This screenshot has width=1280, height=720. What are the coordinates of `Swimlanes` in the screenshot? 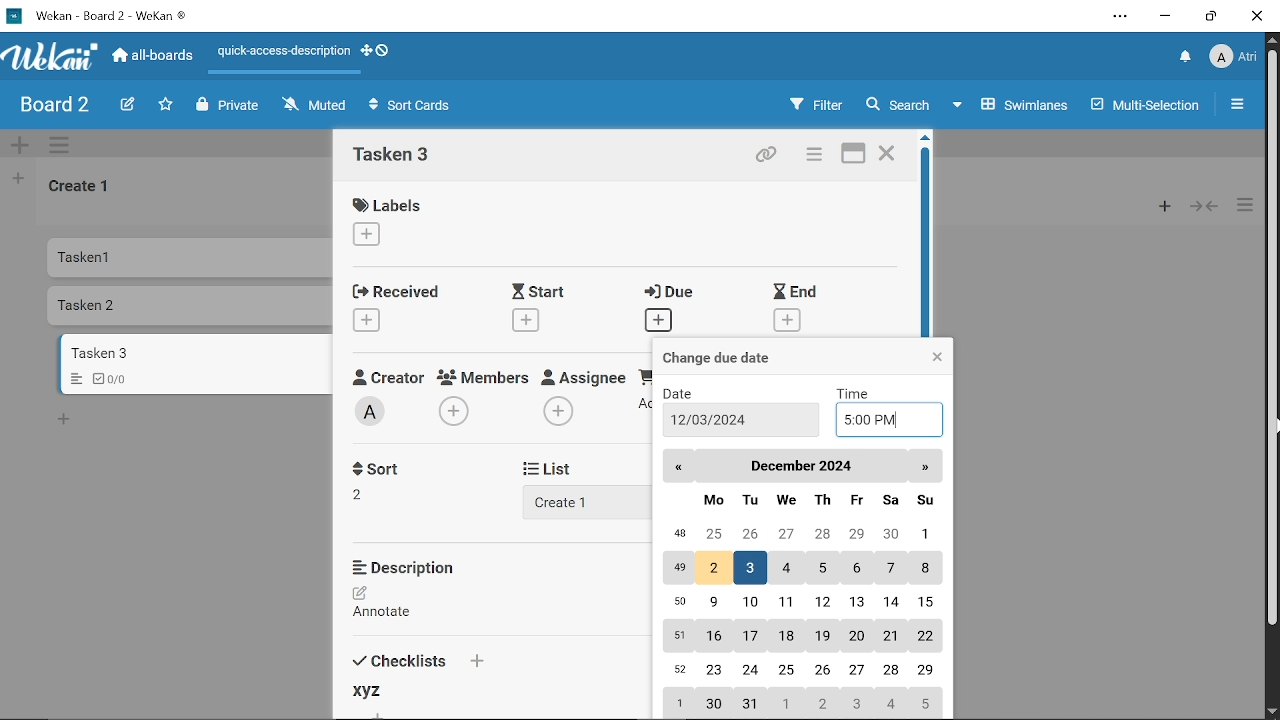 It's located at (1016, 103).